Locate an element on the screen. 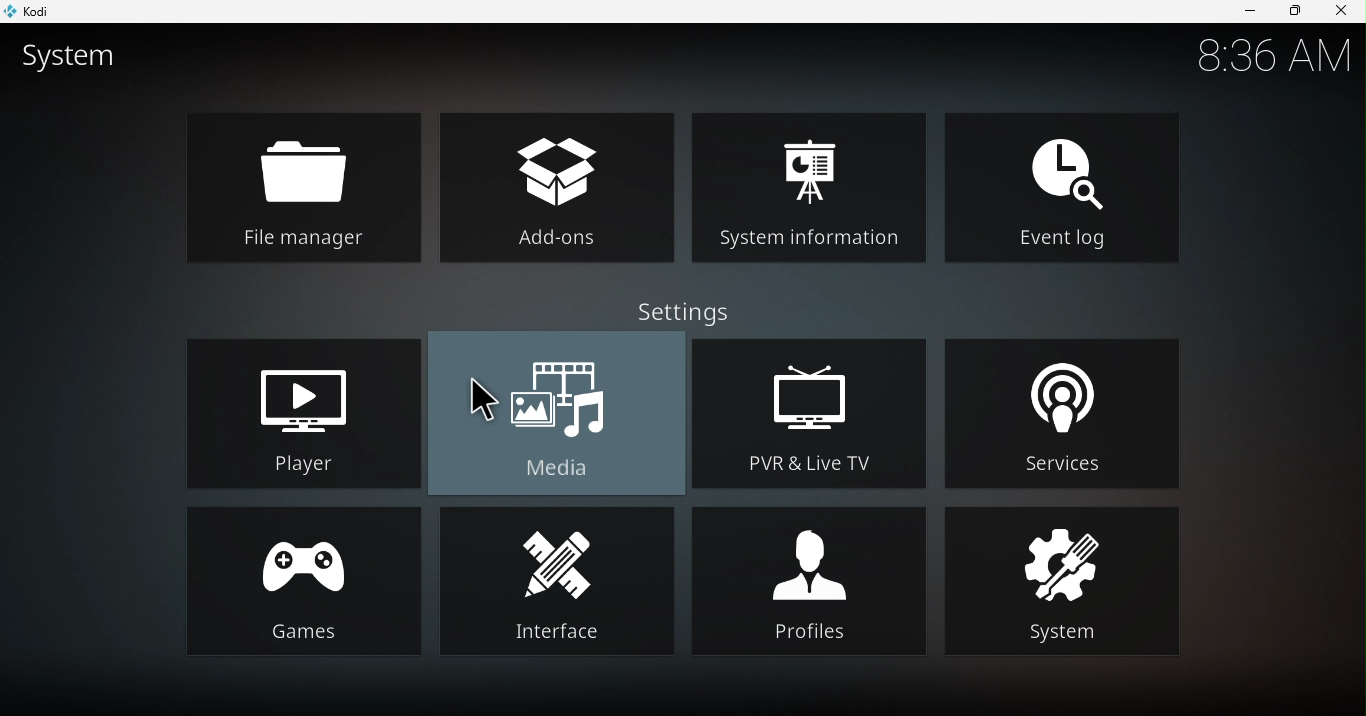 The width and height of the screenshot is (1366, 716). 8:36 AM is located at coordinates (1266, 52).